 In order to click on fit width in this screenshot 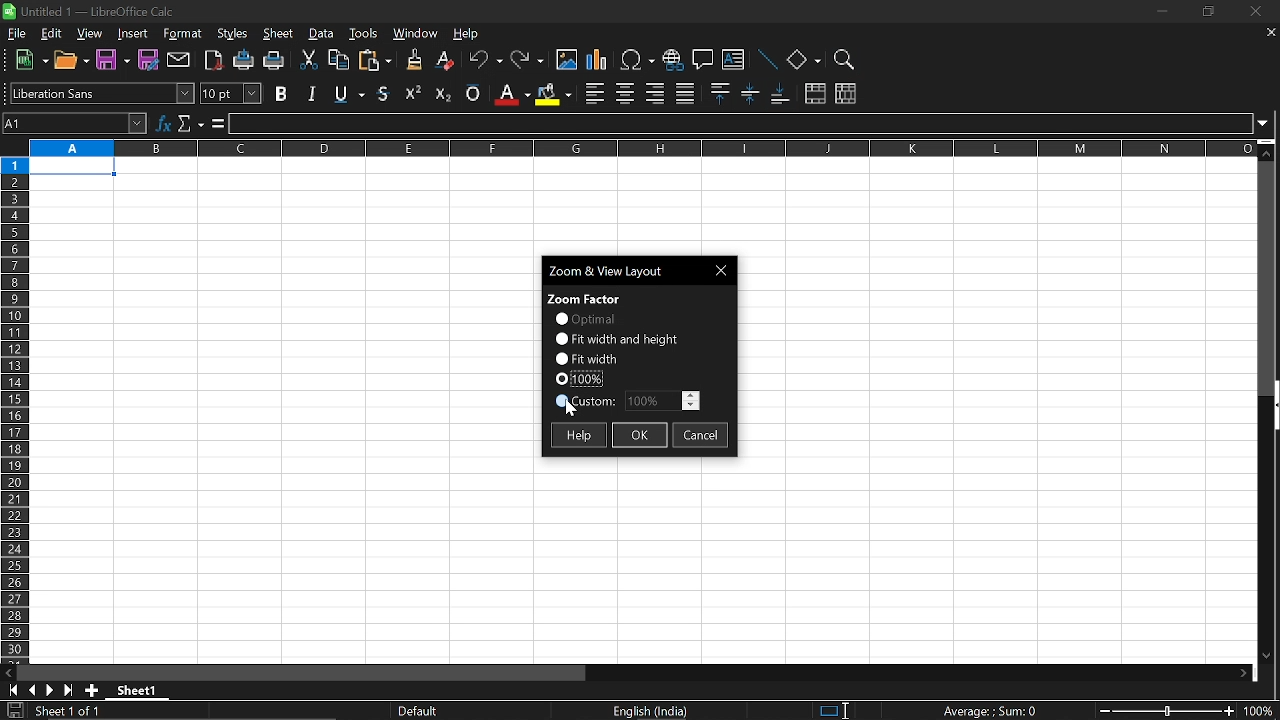, I will do `click(586, 358)`.